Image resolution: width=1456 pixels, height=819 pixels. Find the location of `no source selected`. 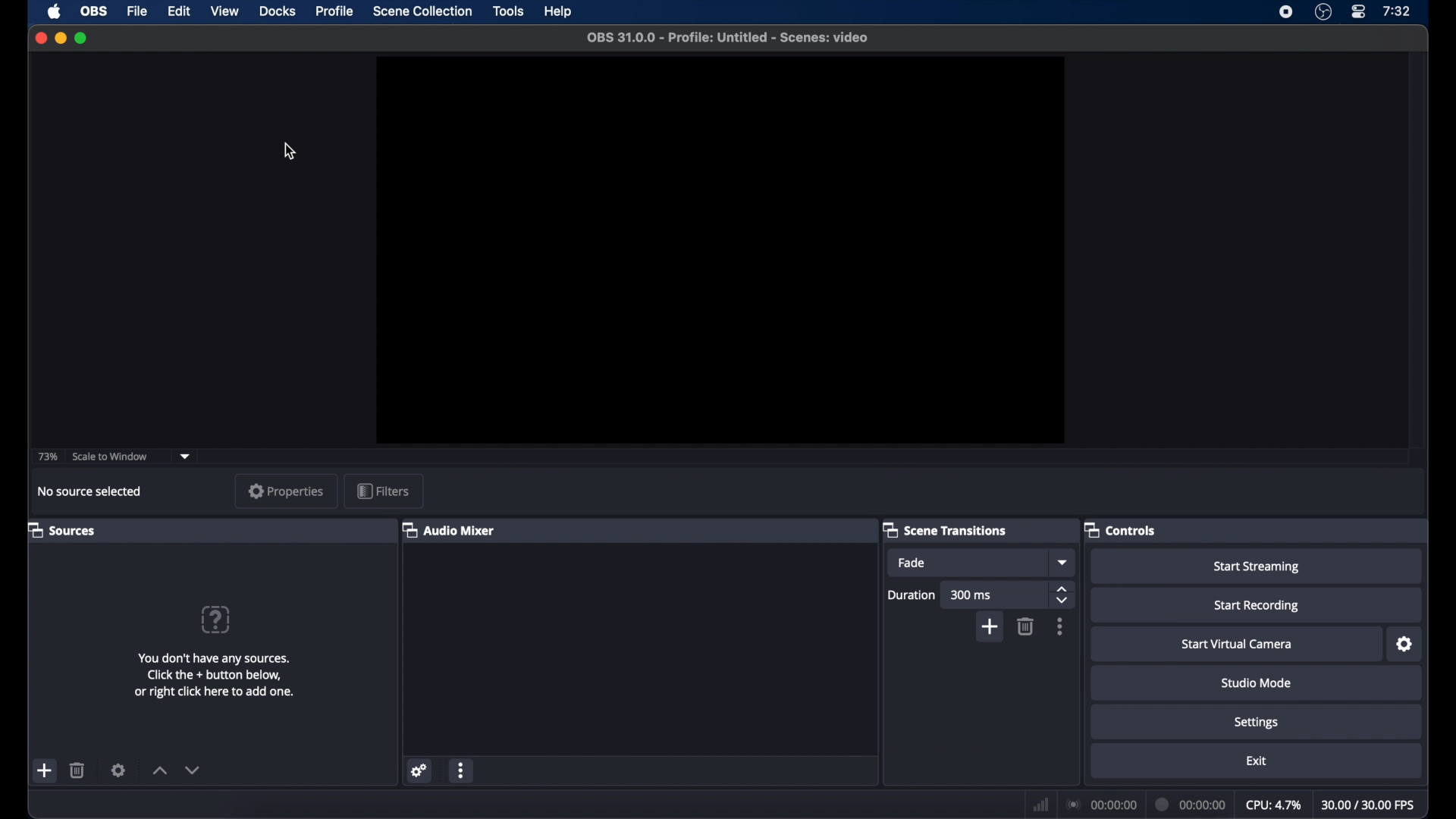

no source selected is located at coordinates (89, 491).